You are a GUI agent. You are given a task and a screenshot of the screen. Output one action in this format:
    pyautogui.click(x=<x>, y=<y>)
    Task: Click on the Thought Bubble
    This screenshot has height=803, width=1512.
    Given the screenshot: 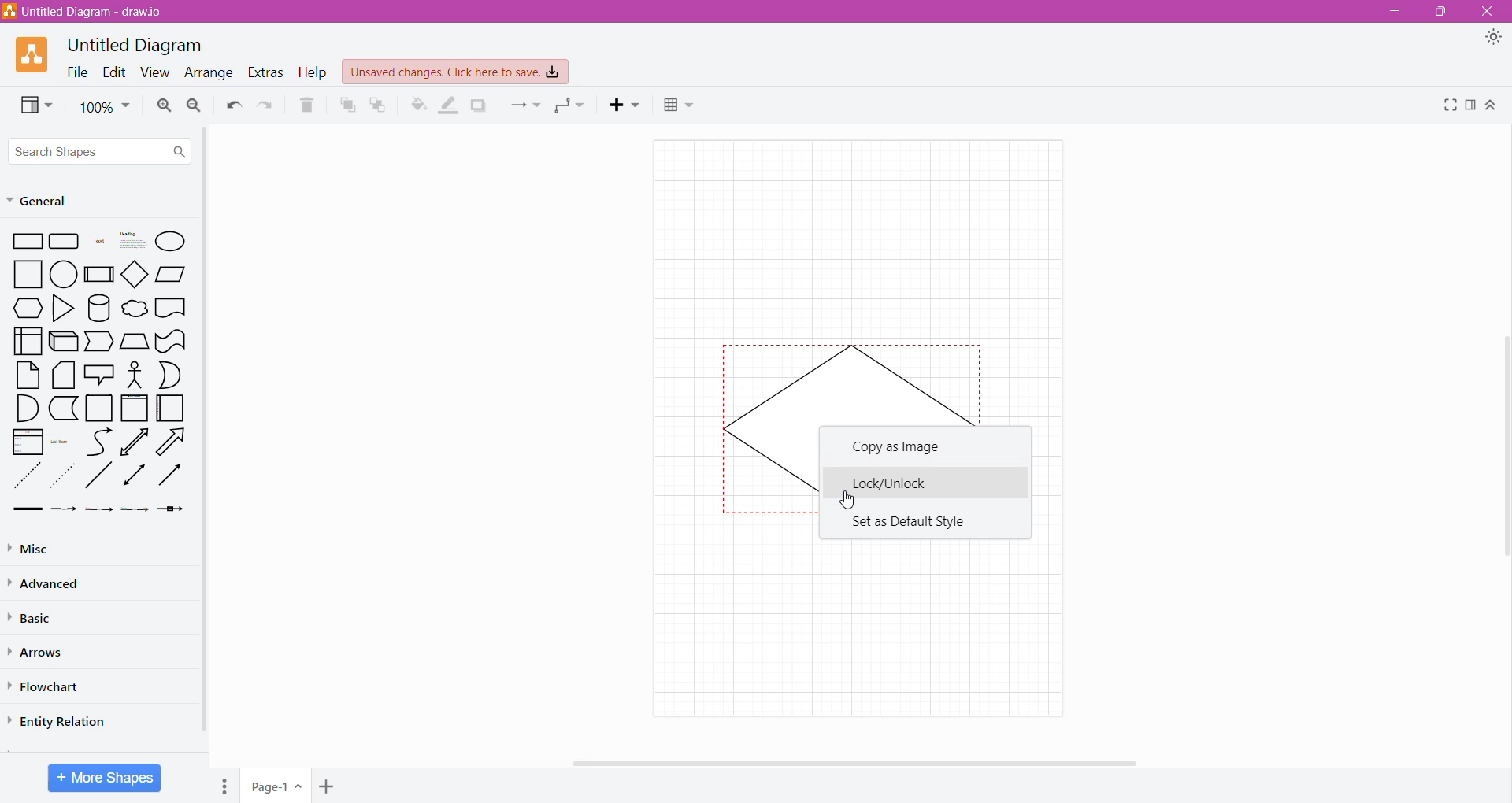 What is the action you would take?
    pyautogui.click(x=134, y=310)
    